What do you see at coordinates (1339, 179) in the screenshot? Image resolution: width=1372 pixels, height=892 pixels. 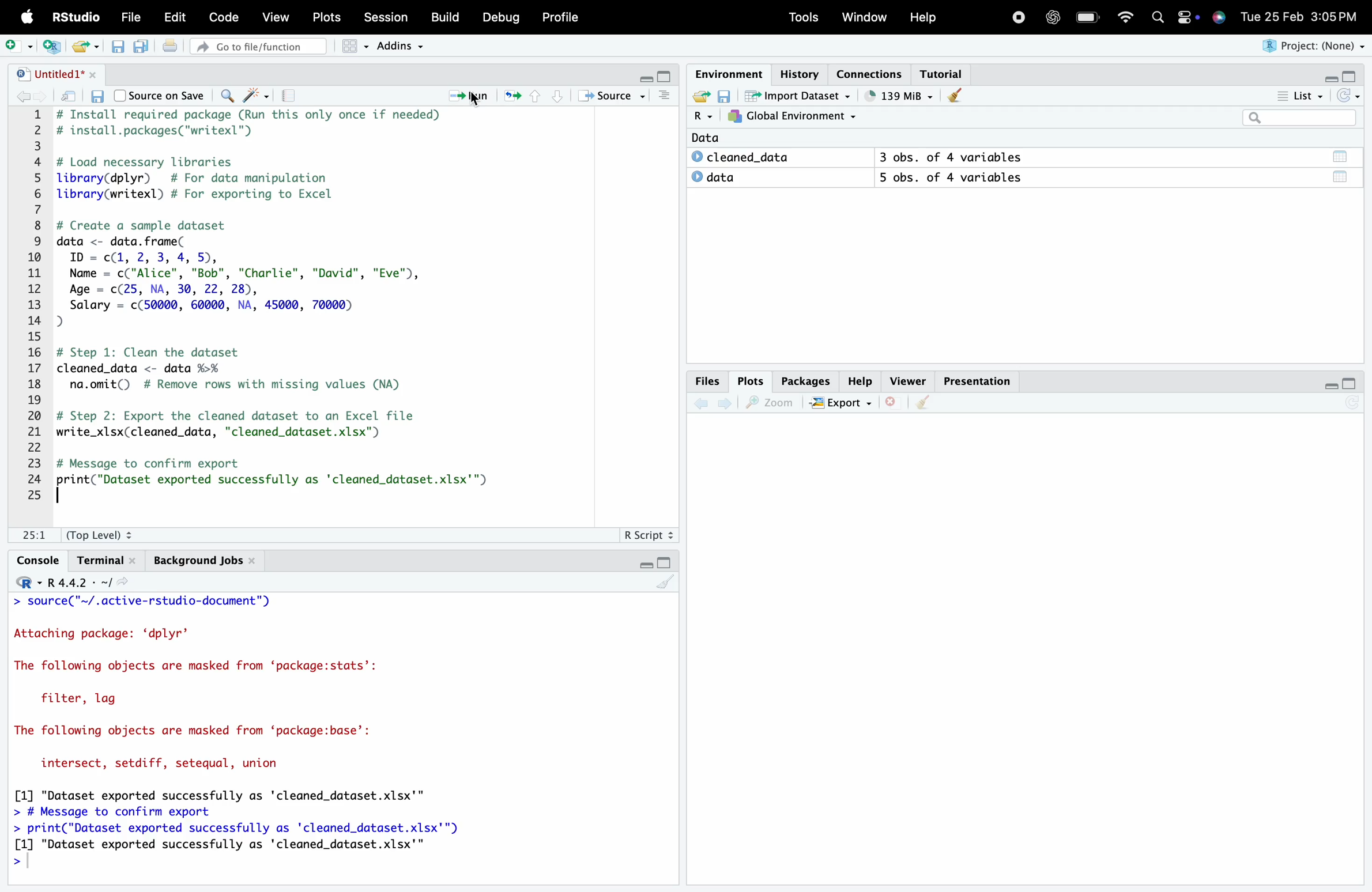 I see `Data/Table` at bounding box center [1339, 179].